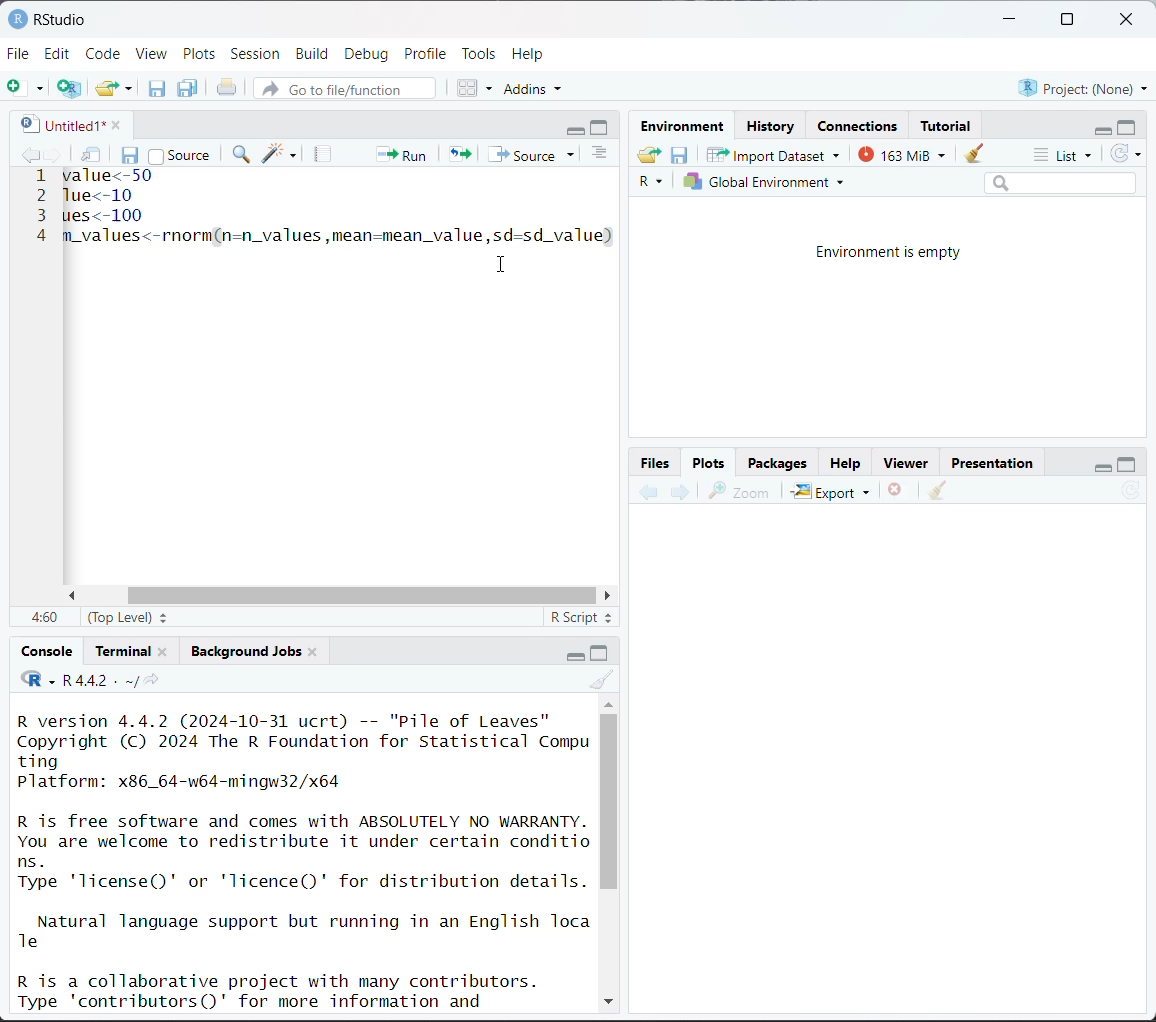 Image resolution: width=1156 pixels, height=1022 pixels. What do you see at coordinates (111, 123) in the screenshot?
I see `close` at bounding box center [111, 123].